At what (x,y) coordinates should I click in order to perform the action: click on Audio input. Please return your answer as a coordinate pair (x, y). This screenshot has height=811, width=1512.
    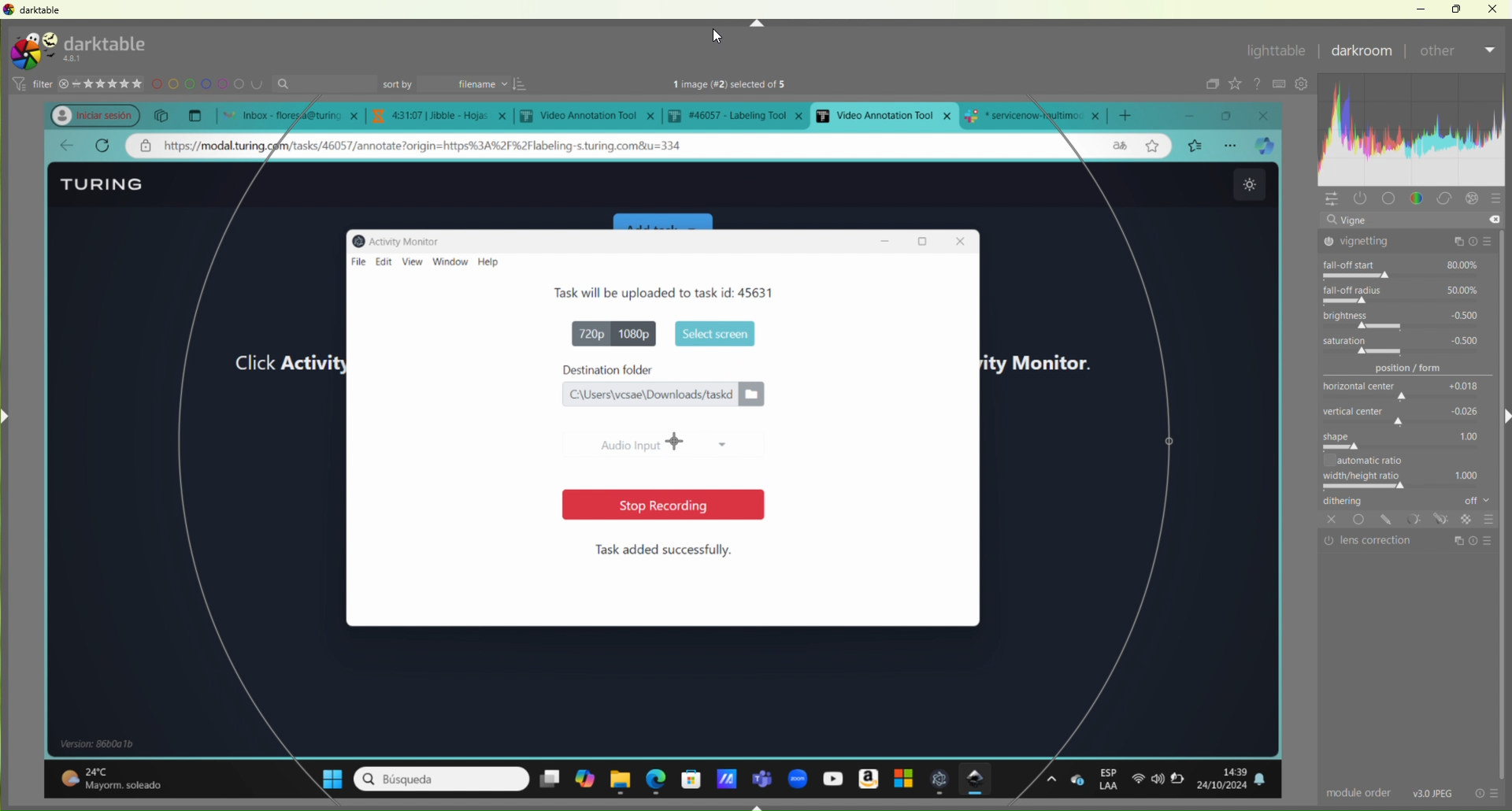
    Looking at the image, I should click on (662, 442).